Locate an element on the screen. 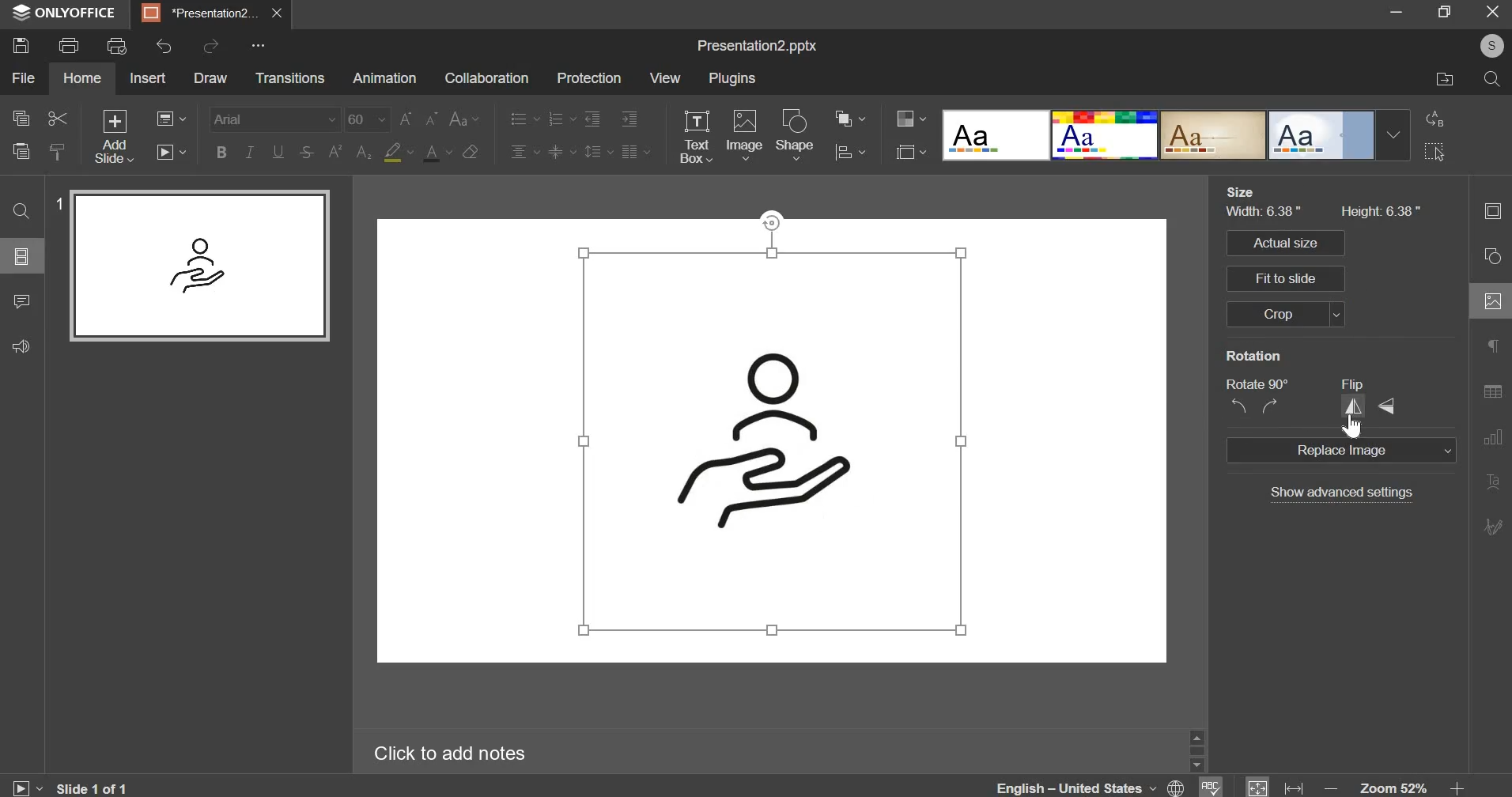  fill color is located at coordinates (397, 153).